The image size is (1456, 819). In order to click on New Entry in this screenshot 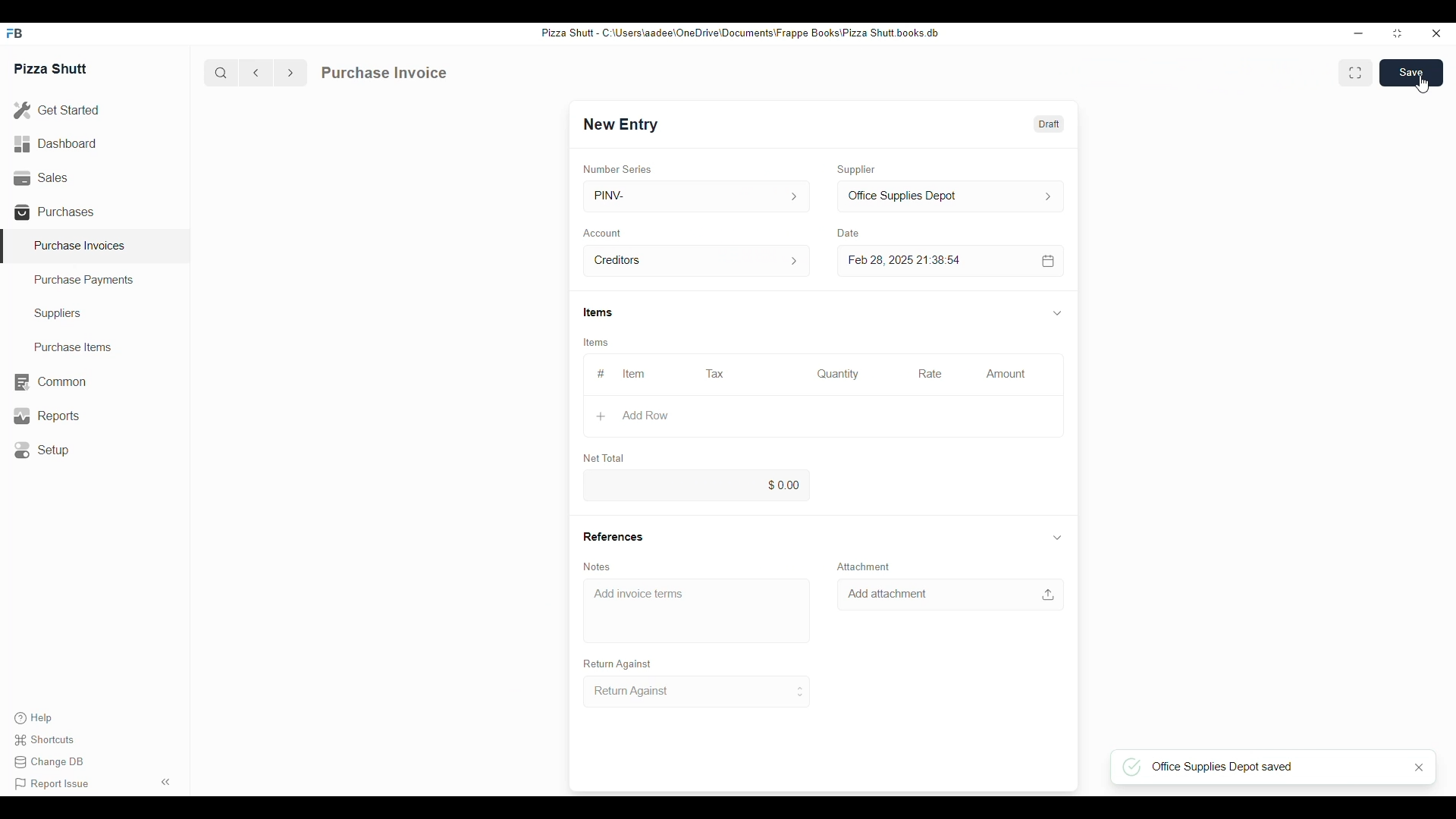, I will do `click(622, 124)`.